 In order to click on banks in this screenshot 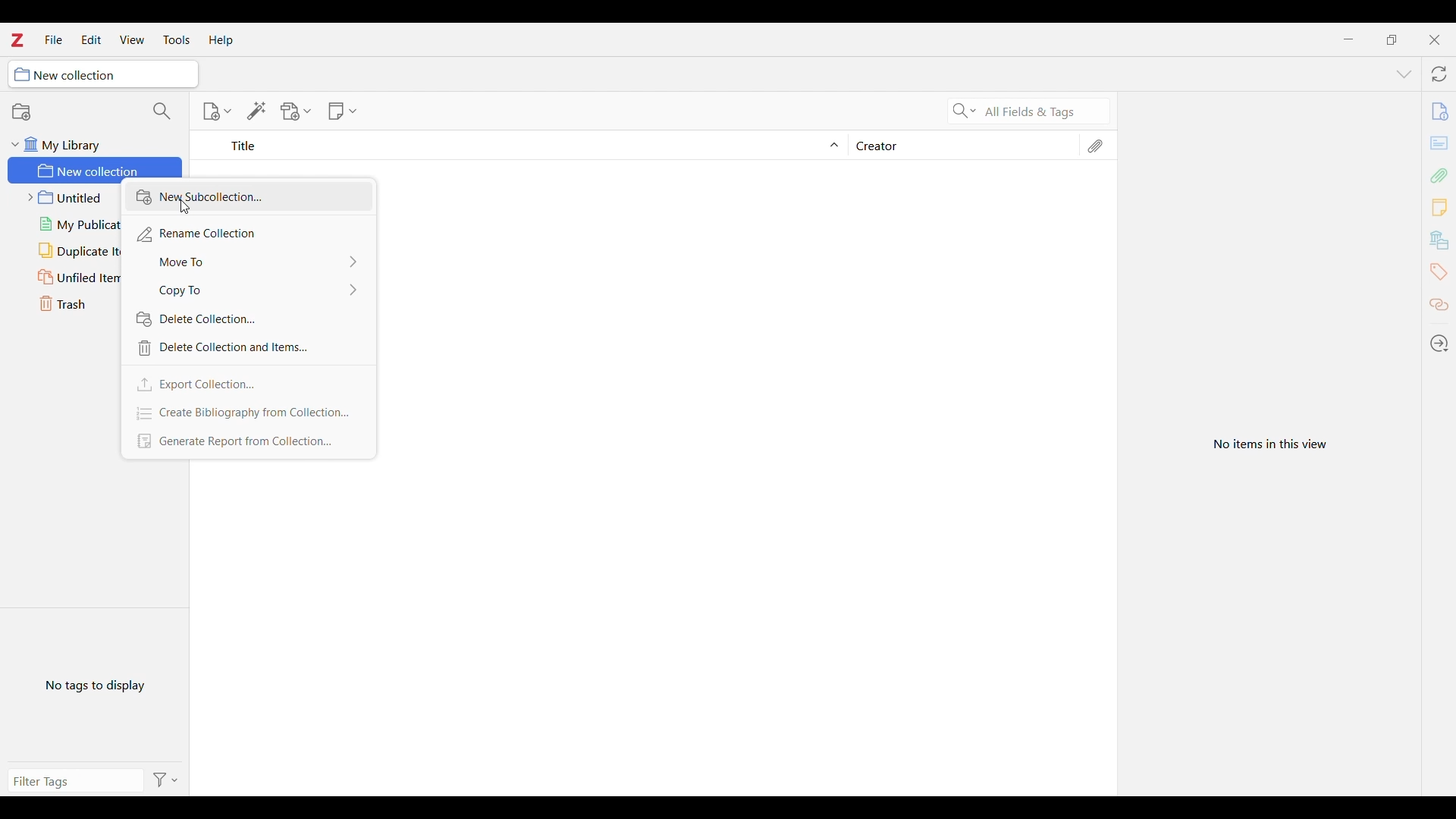, I will do `click(1441, 240)`.